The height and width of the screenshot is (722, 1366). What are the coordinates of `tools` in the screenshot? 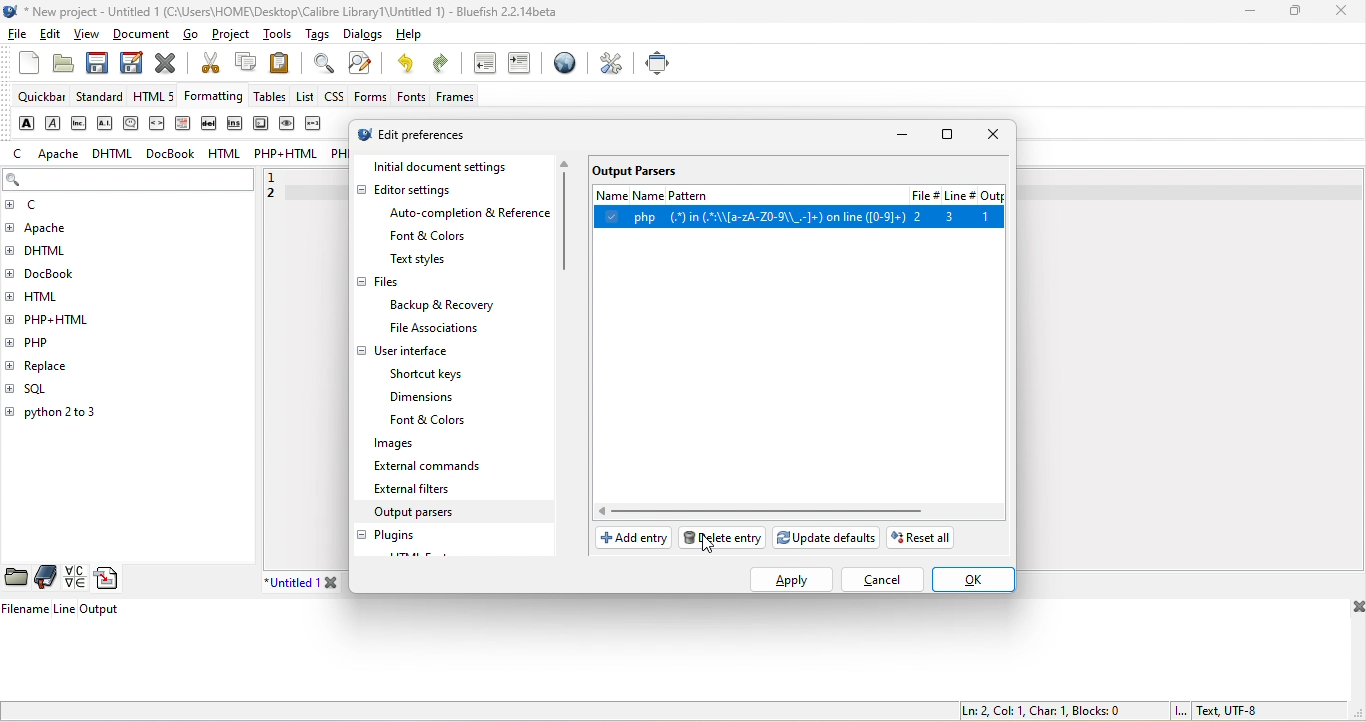 It's located at (276, 34).